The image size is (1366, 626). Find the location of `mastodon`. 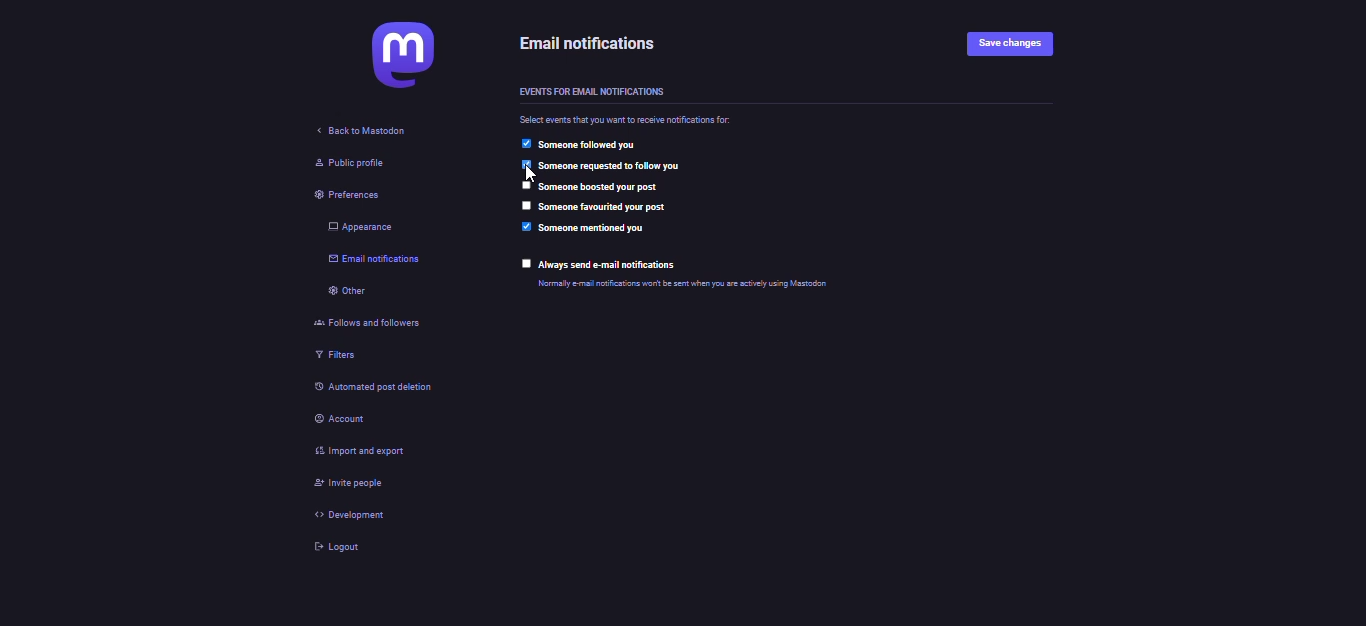

mastodon is located at coordinates (398, 55).